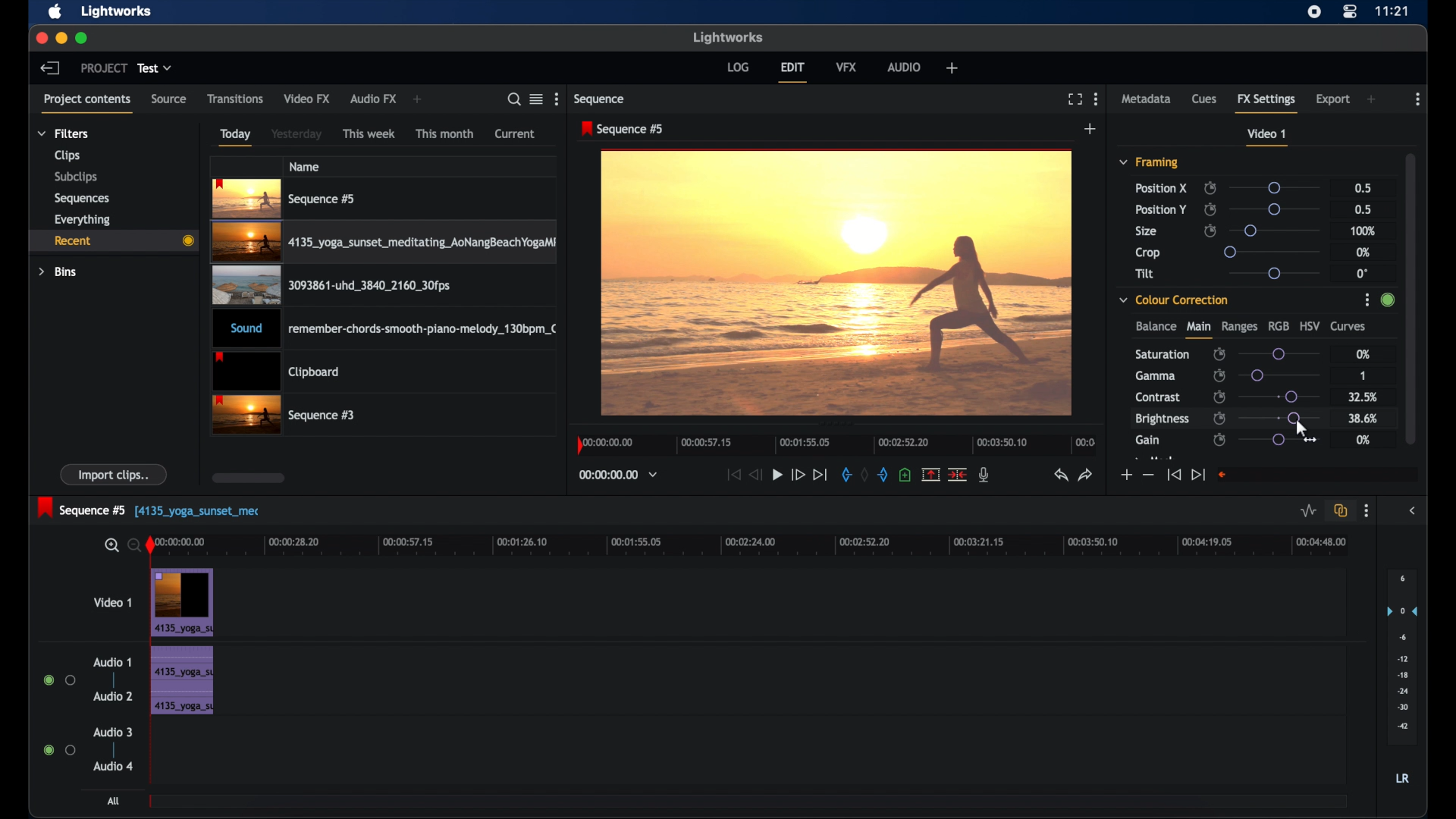 The image size is (1456, 819). Describe the element at coordinates (1204, 102) in the screenshot. I see `cues` at that location.